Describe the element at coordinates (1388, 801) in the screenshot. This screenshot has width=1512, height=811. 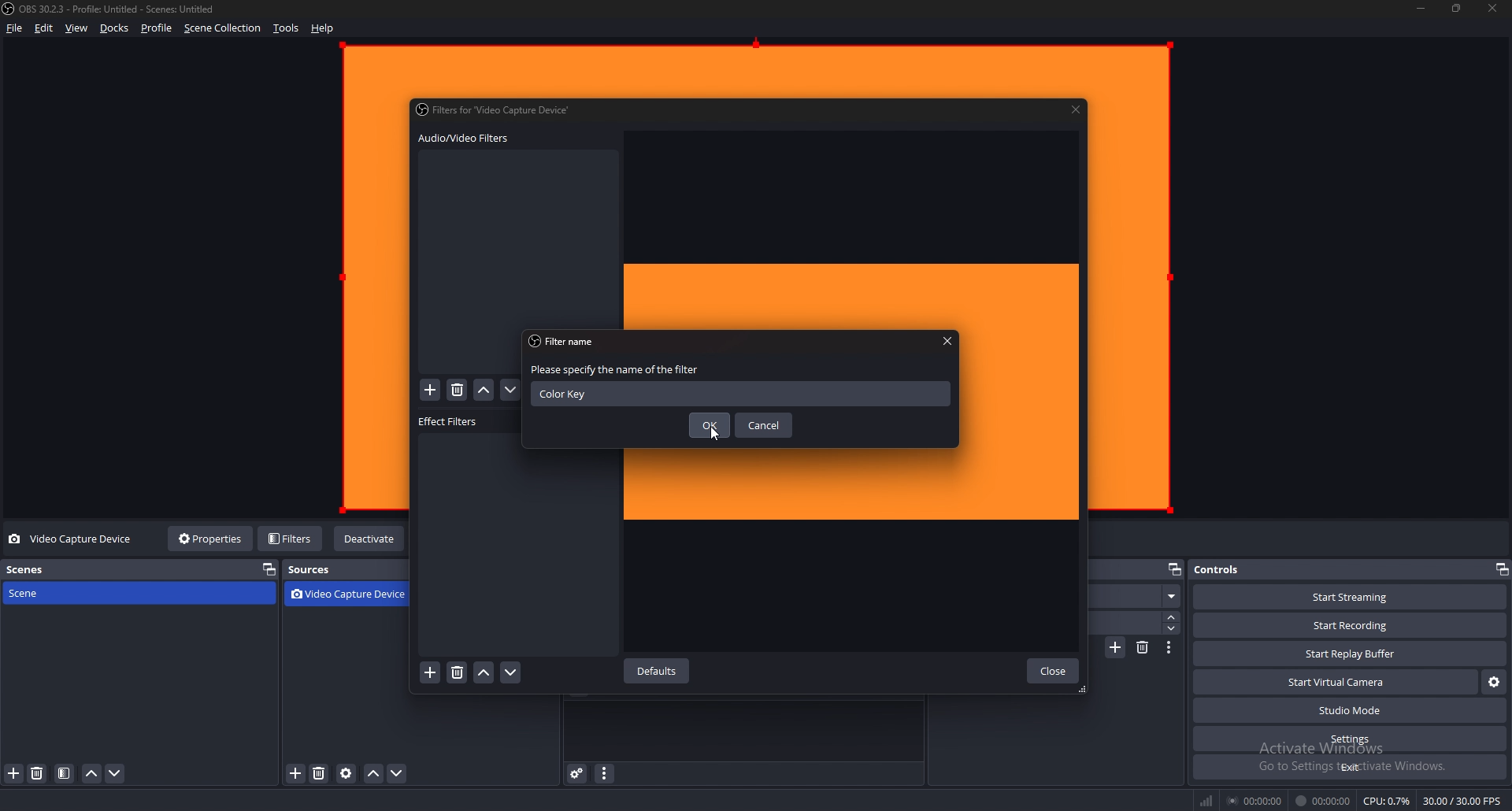
I see `CPU: 1.2%` at that location.